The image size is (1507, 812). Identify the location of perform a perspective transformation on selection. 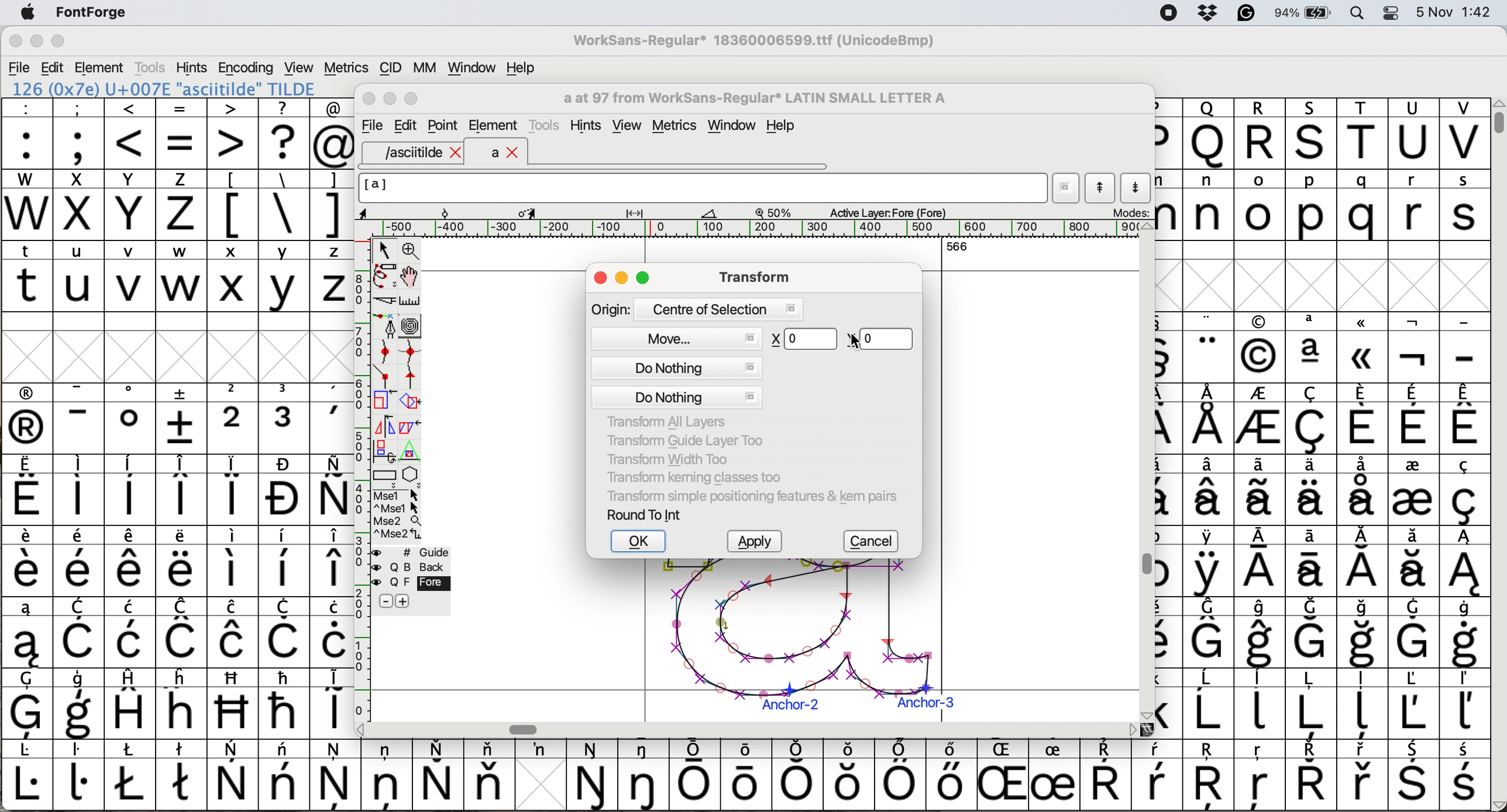
(410, 452).